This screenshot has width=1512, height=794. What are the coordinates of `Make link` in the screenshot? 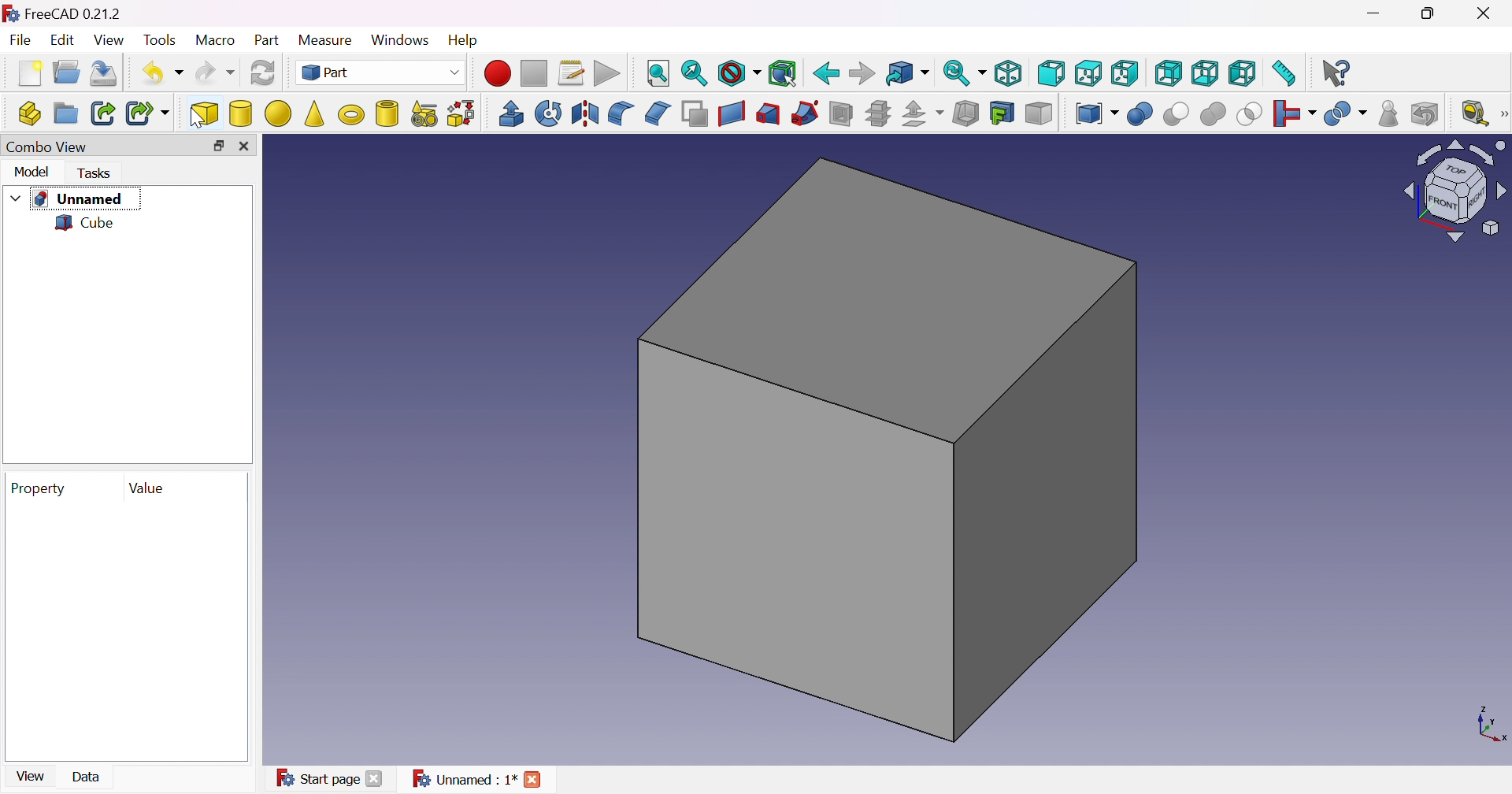 It's located at (104, 112).